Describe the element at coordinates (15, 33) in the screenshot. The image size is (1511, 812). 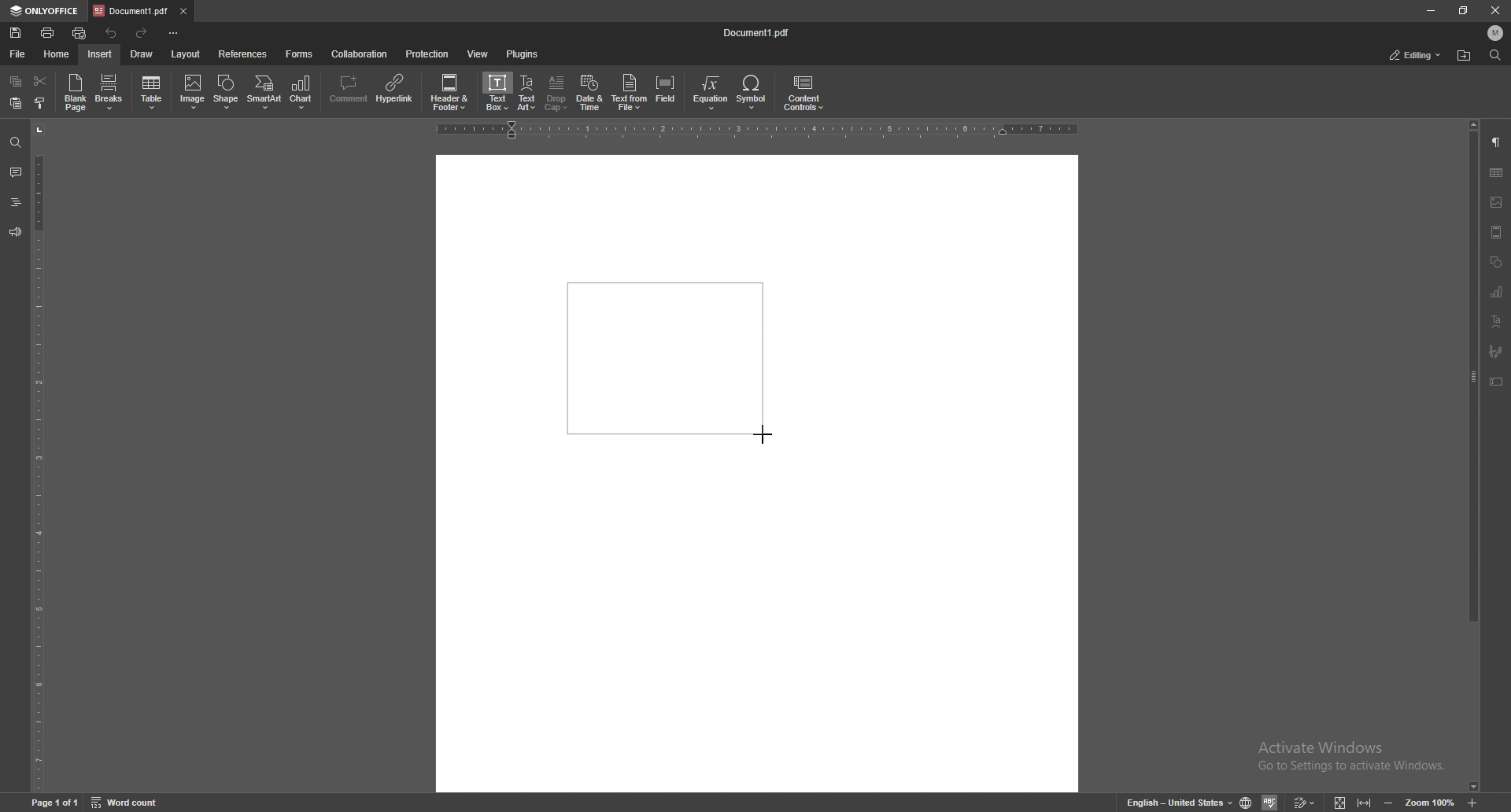
I see `save` at that location.